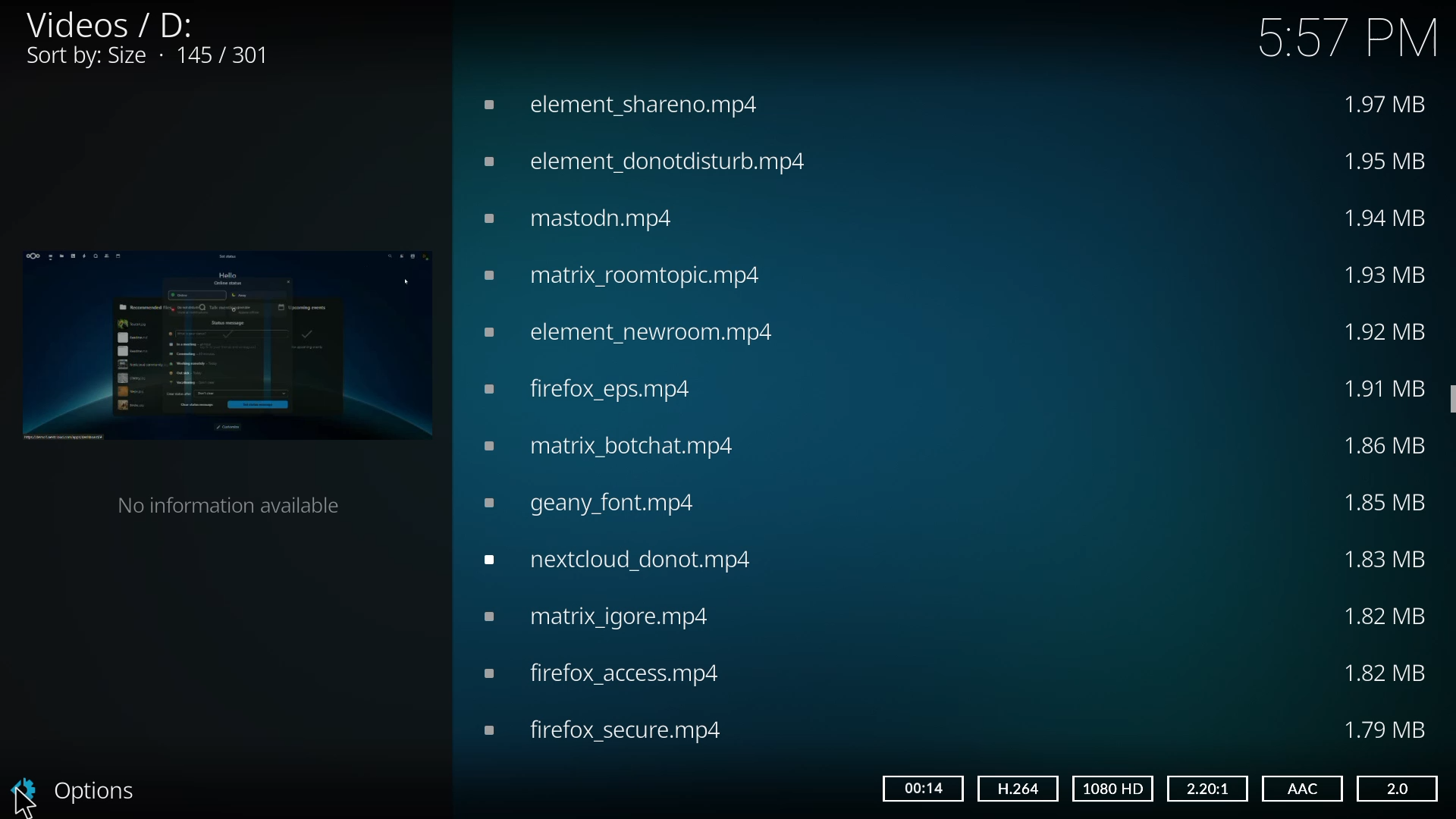  I want to click on hd, so click(1115, 789).